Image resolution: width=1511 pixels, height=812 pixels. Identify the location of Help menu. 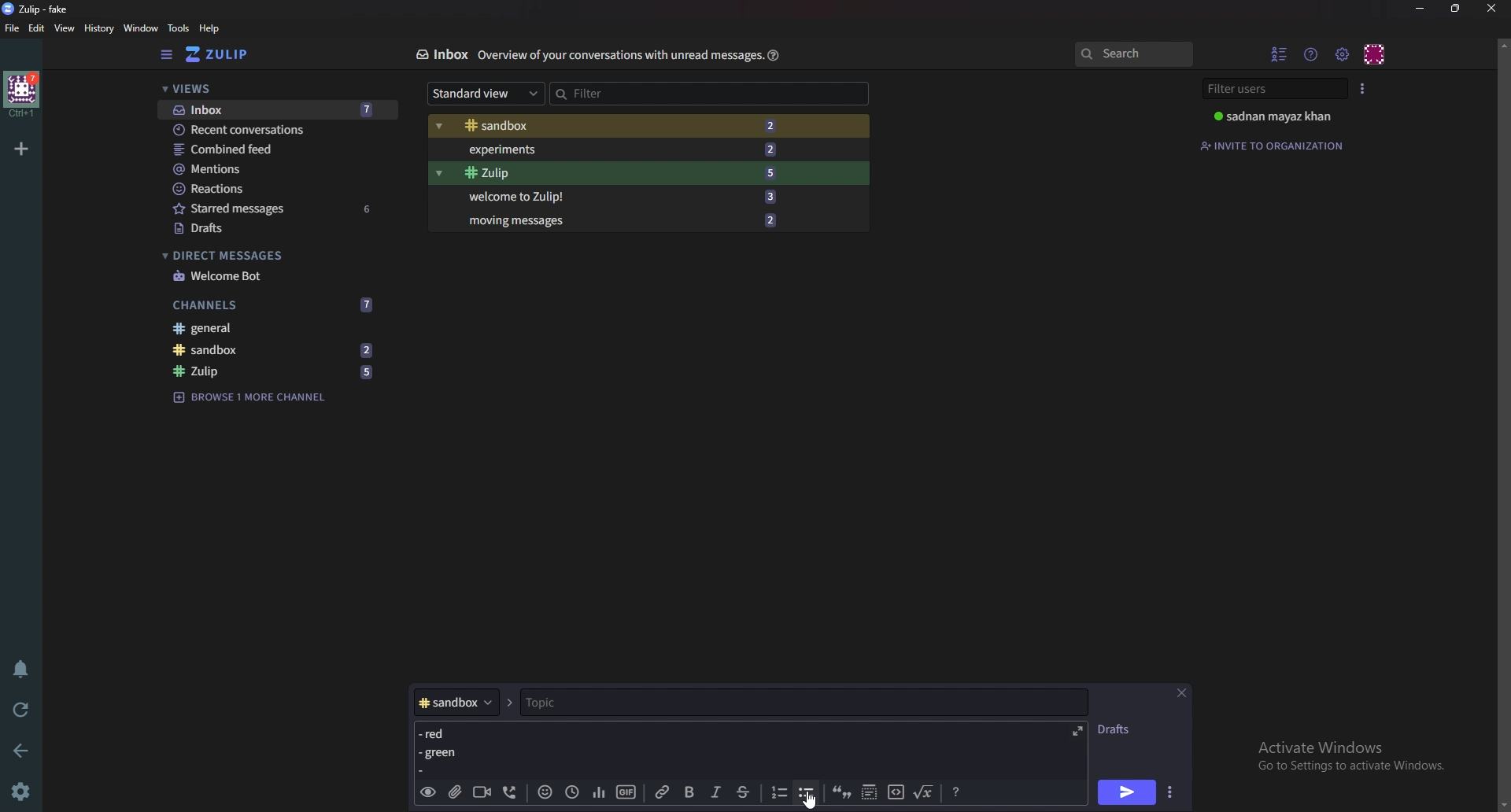
(1312, 54).